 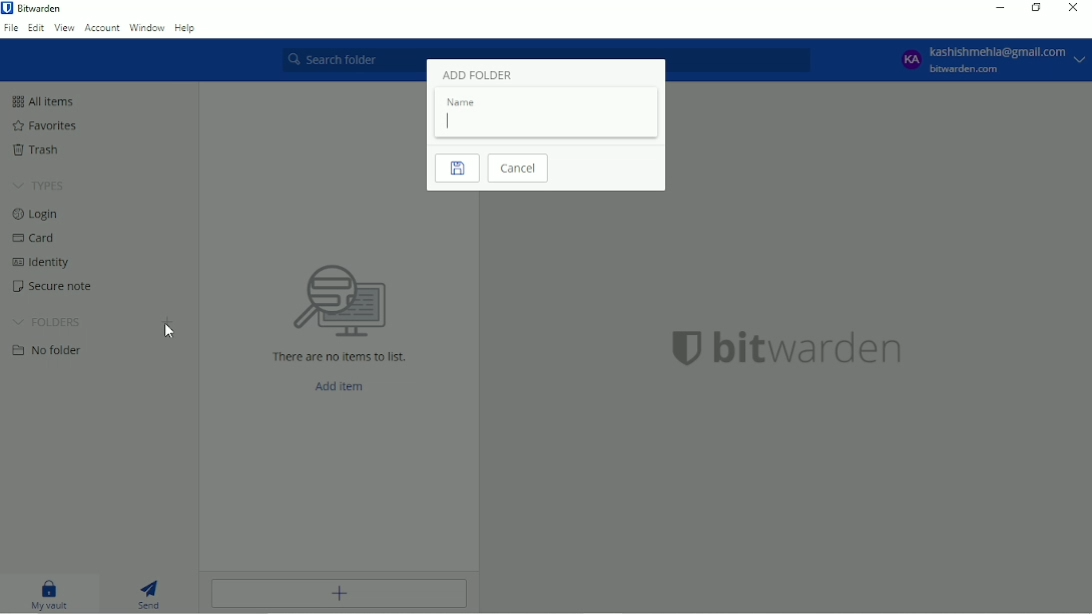 What do you see at coordinates (148, 29) in the screenshot?
I see `Window` at bounding box center [148, 29].